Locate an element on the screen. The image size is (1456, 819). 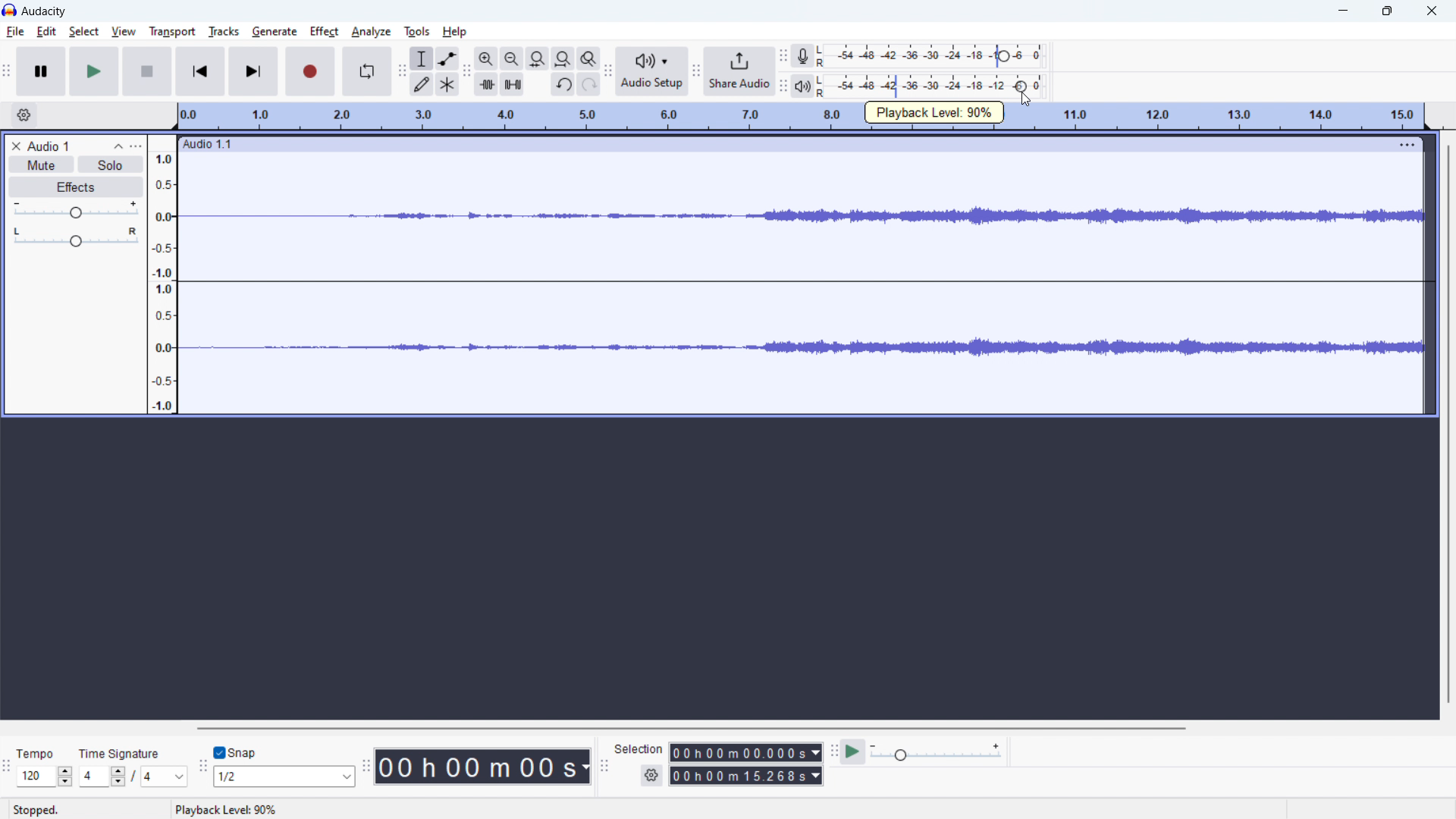
maximize is located at coordinates (1387, 11).